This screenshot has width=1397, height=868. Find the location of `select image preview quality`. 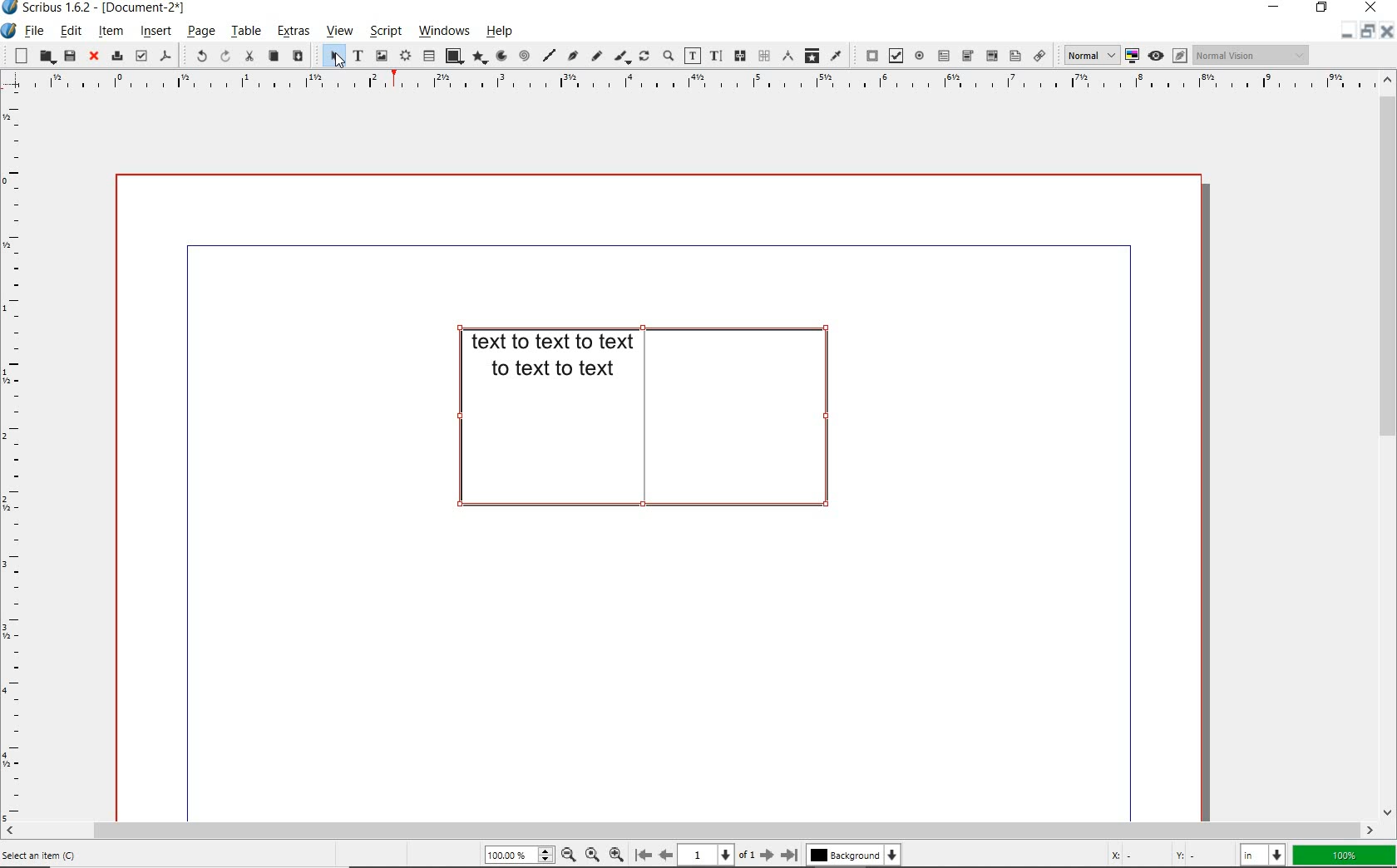

select image preview quality is located at coordinates (1086, 54).